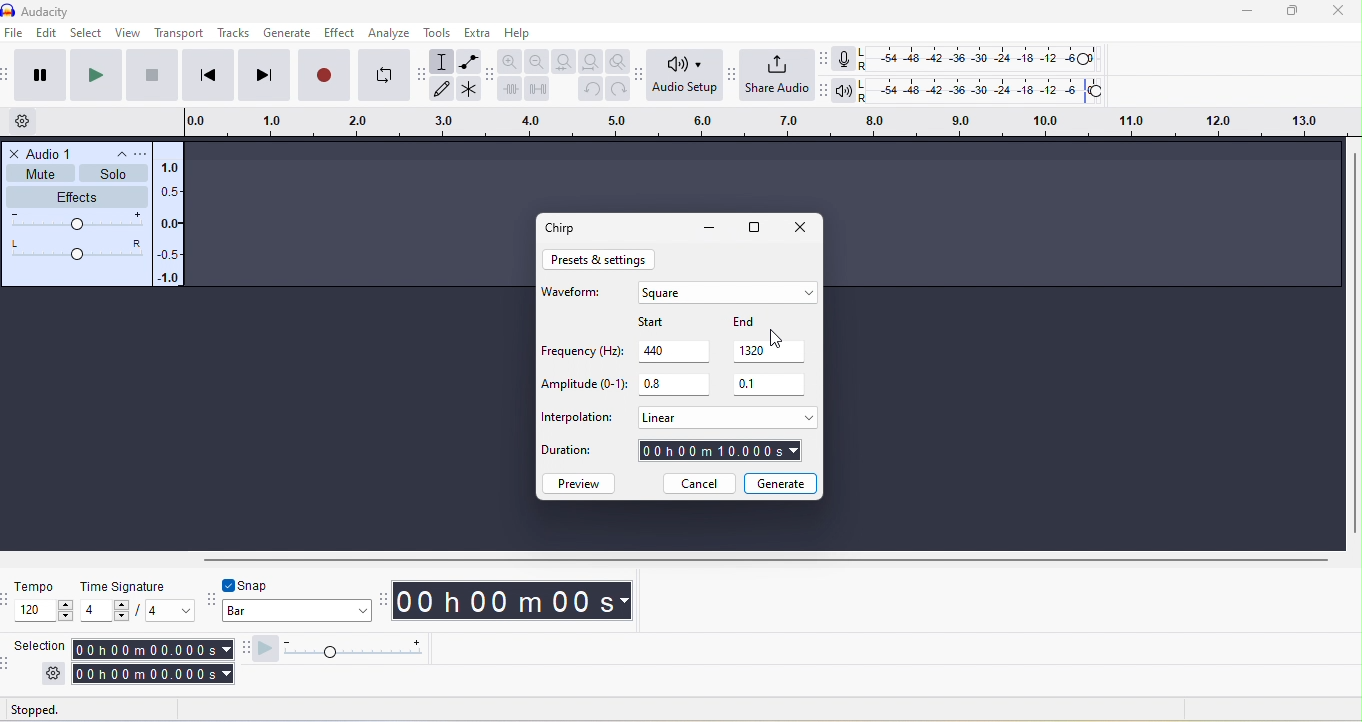 The width and height of the screenshot is (1362, 722). Describe the element at coordinates (726, 294) in the screenshot. I see `square` at that location.